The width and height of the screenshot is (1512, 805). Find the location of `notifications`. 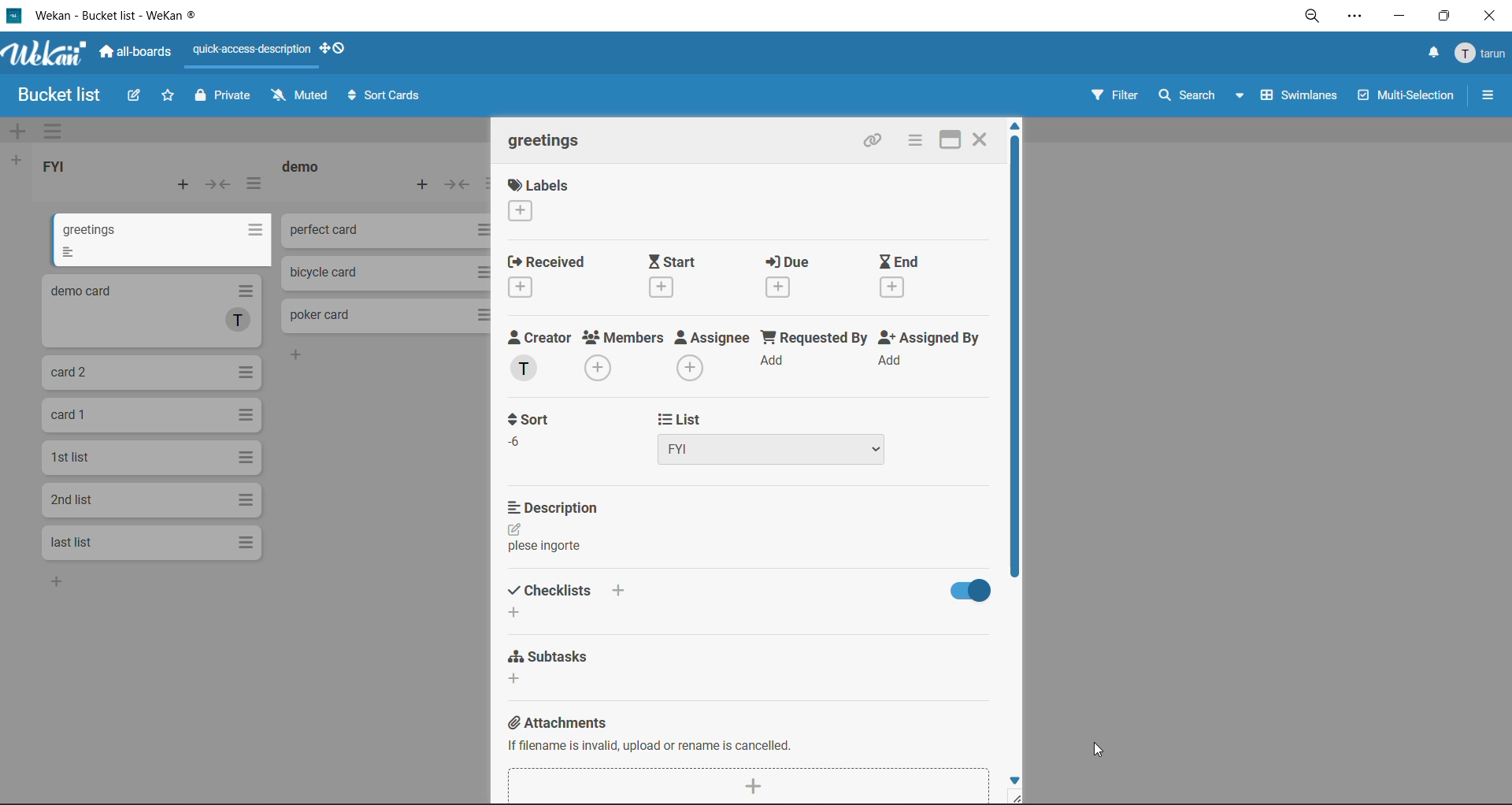

notifications is located at coordinates (1429, 52).